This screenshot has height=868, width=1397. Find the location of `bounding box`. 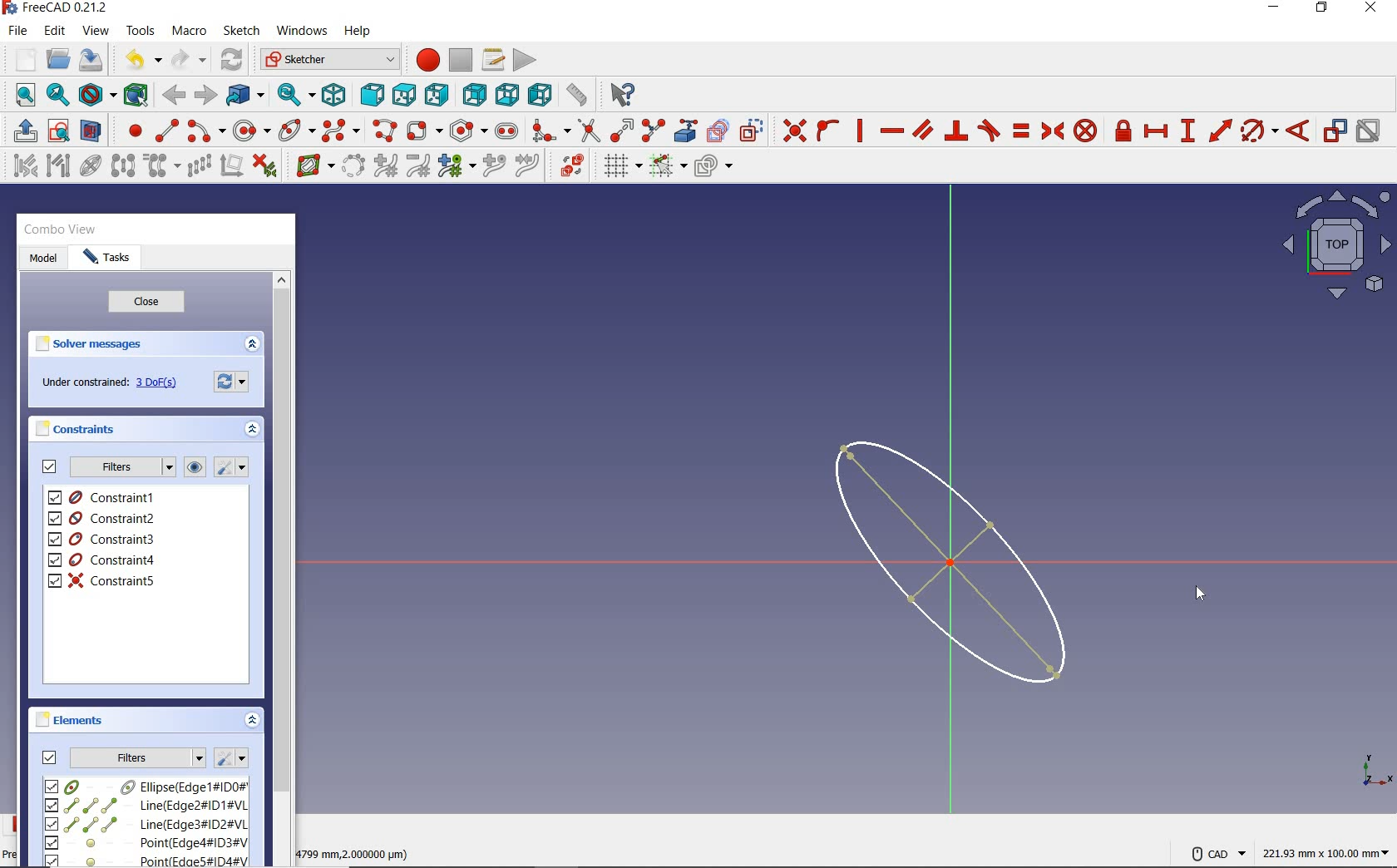

bounding box is located at coordinates (136, 94).